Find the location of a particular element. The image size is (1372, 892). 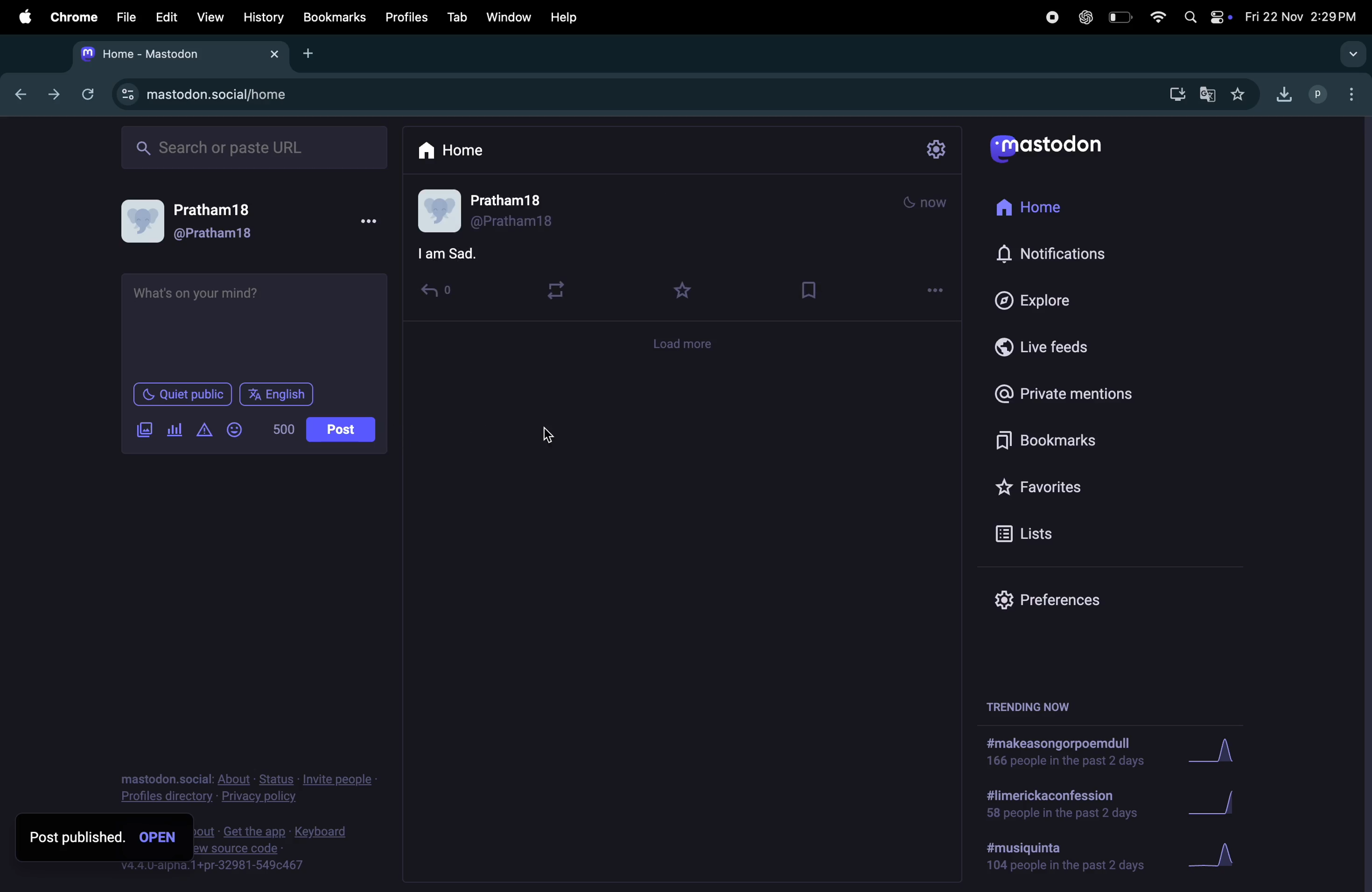

hashtags is located at coordinates (1068, 860).